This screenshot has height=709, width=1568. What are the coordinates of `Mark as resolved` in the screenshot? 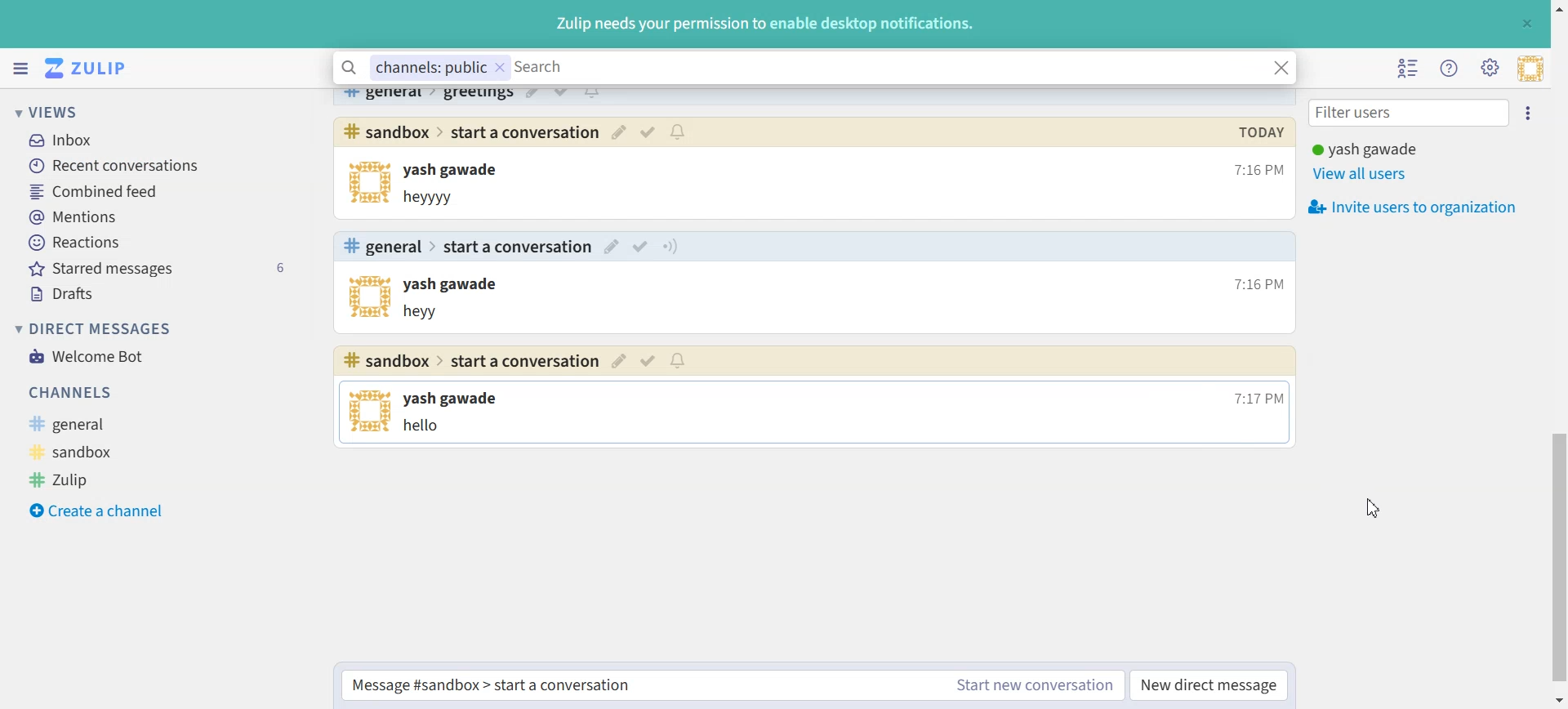 It's located at (561, 94).